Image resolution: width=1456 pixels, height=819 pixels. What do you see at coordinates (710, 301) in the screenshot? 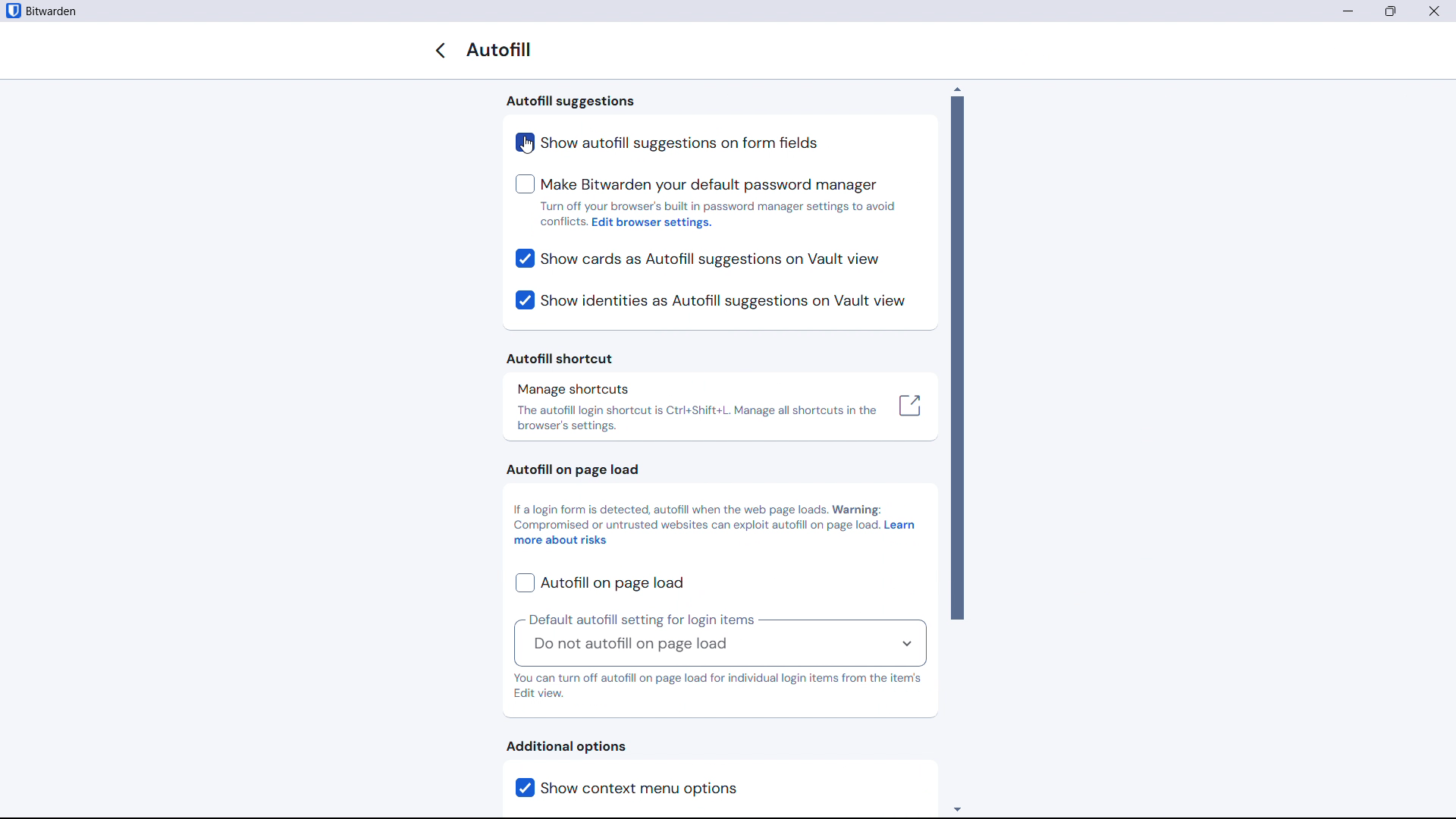
I see `Show identities as out of your suggestions on vault view` at bounding box center [710, 301].